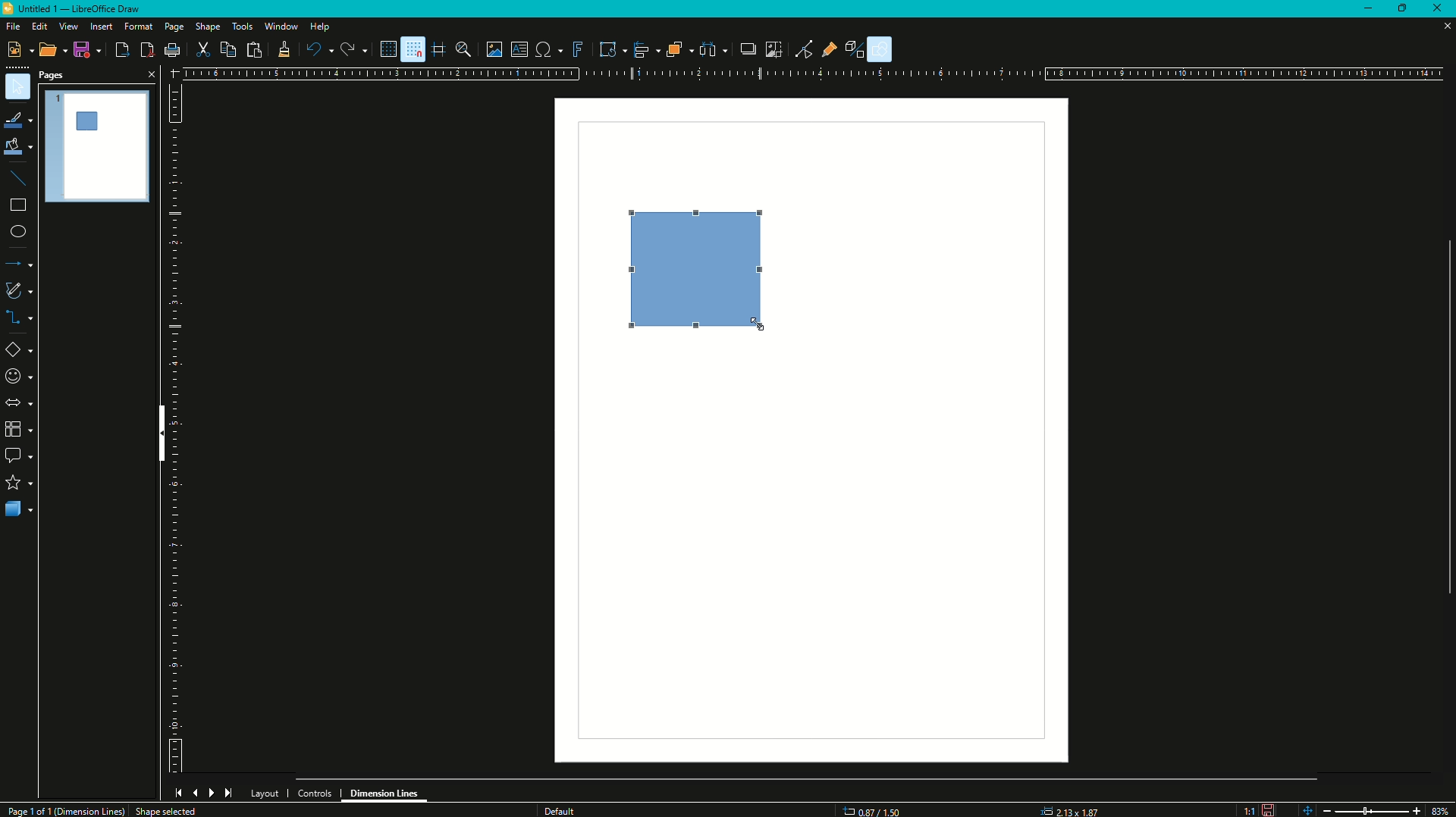 This screenshot has width=1456, height=817. What do you see at coordinates (85, 51) in the screenshot?
I see `Save` at bounding box center [85, 51].